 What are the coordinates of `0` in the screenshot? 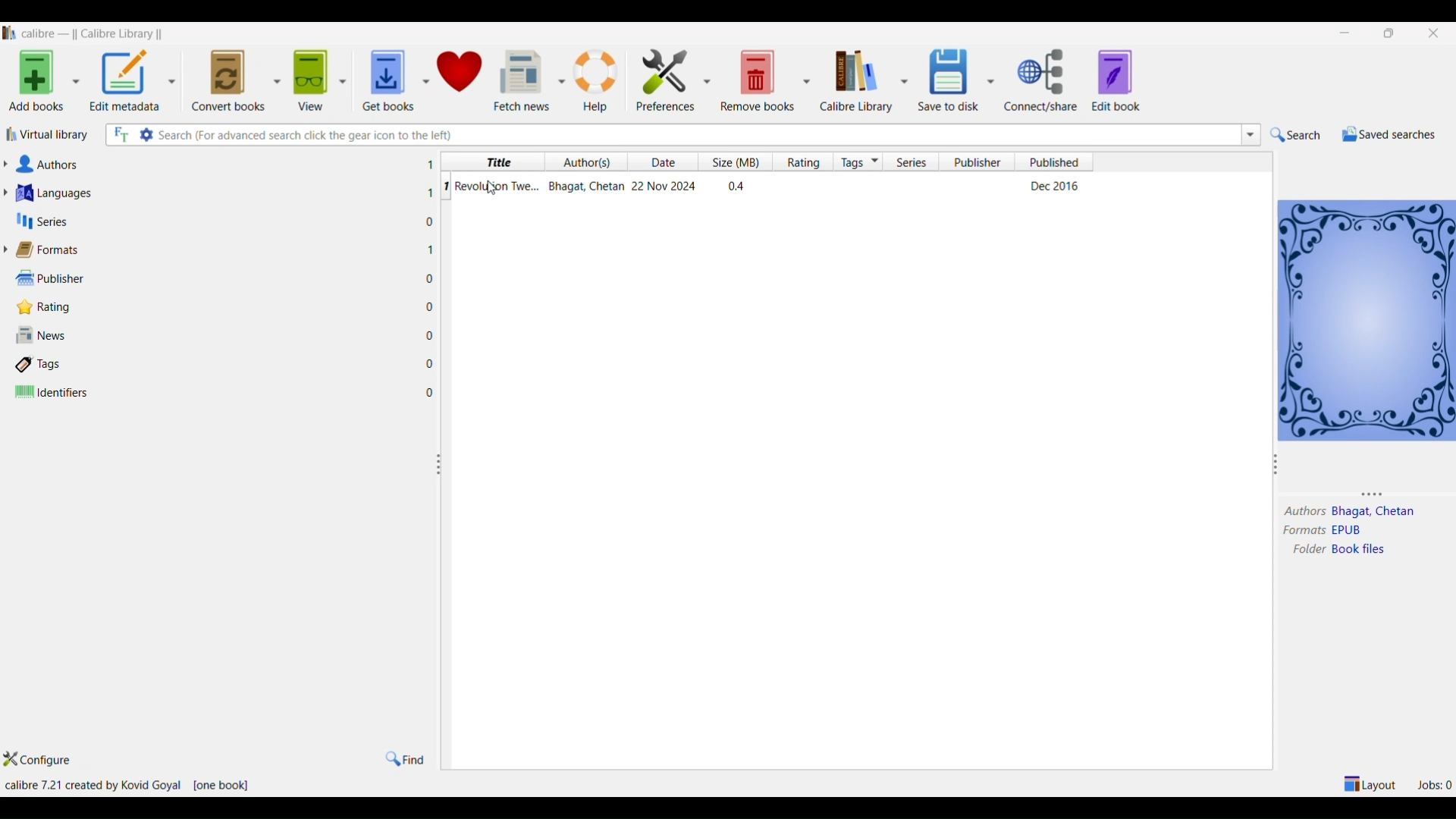 It's located at (431, 393).